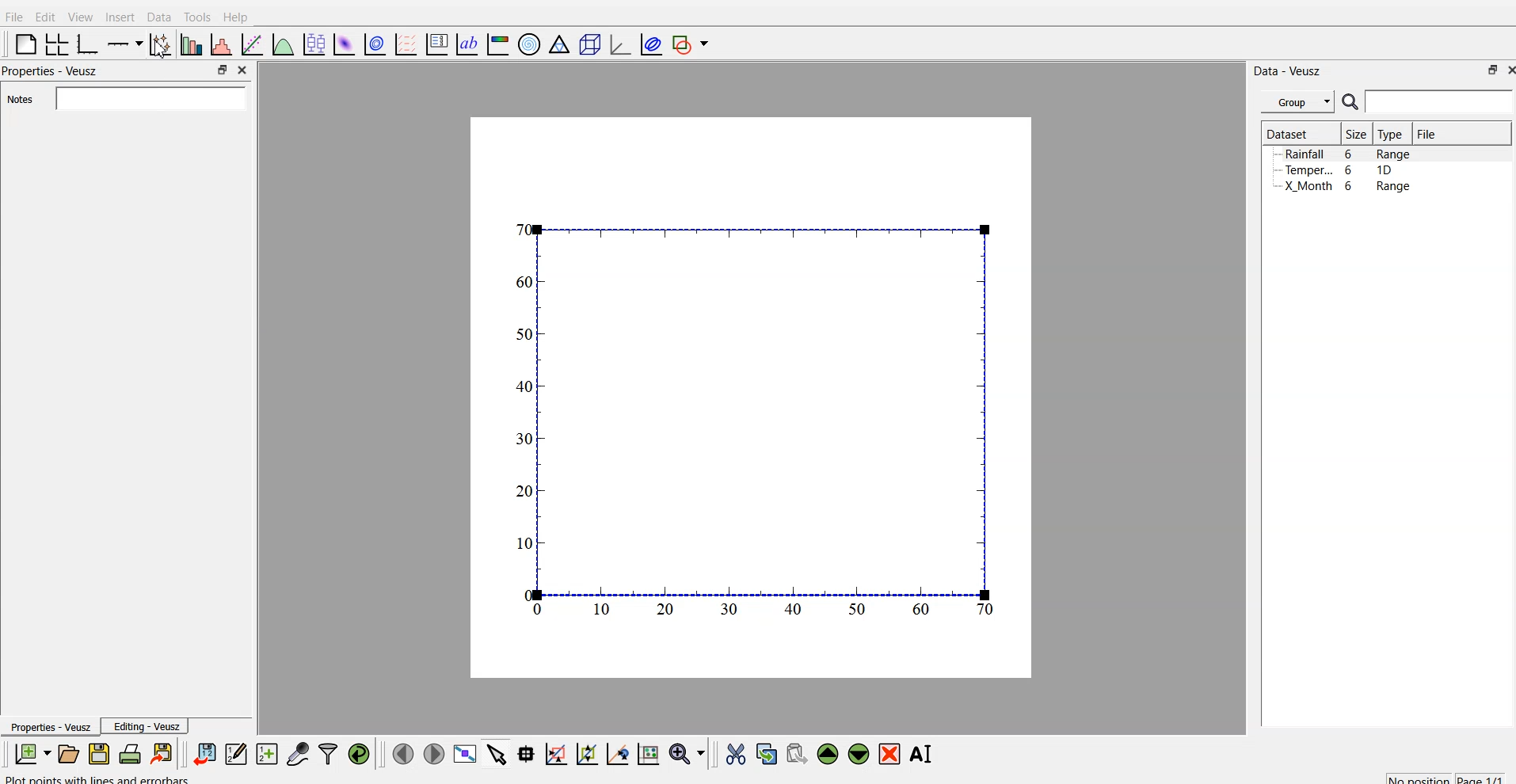 Image resolution: width=1516 pixels, height=784 pixels. Describe the element at coordinates (1354, 135) in the screenshot. I see `| Size` at that location.